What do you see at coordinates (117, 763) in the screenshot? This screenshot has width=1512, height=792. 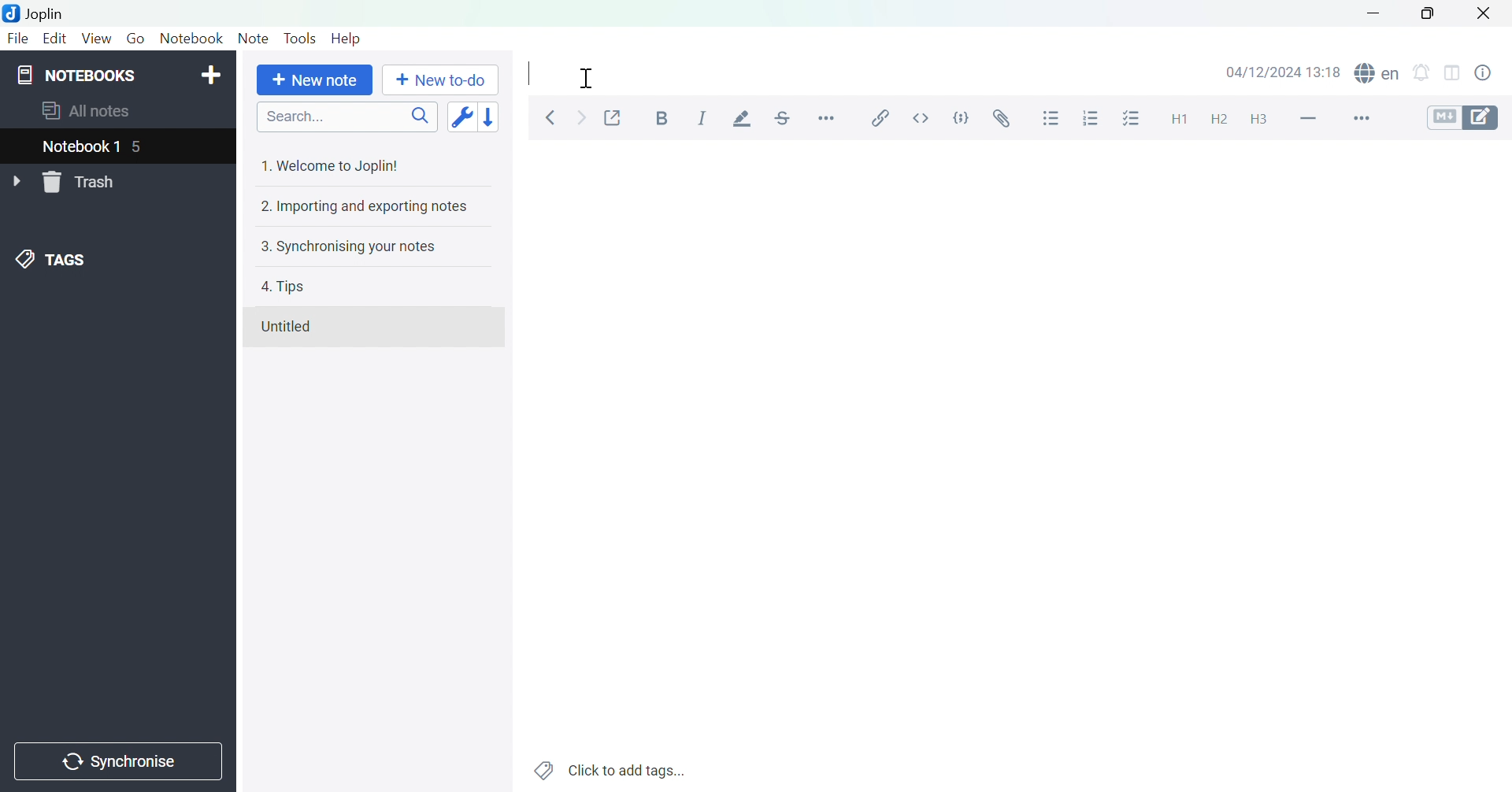 I see `Synchronise` at bounding box center [117, 763].